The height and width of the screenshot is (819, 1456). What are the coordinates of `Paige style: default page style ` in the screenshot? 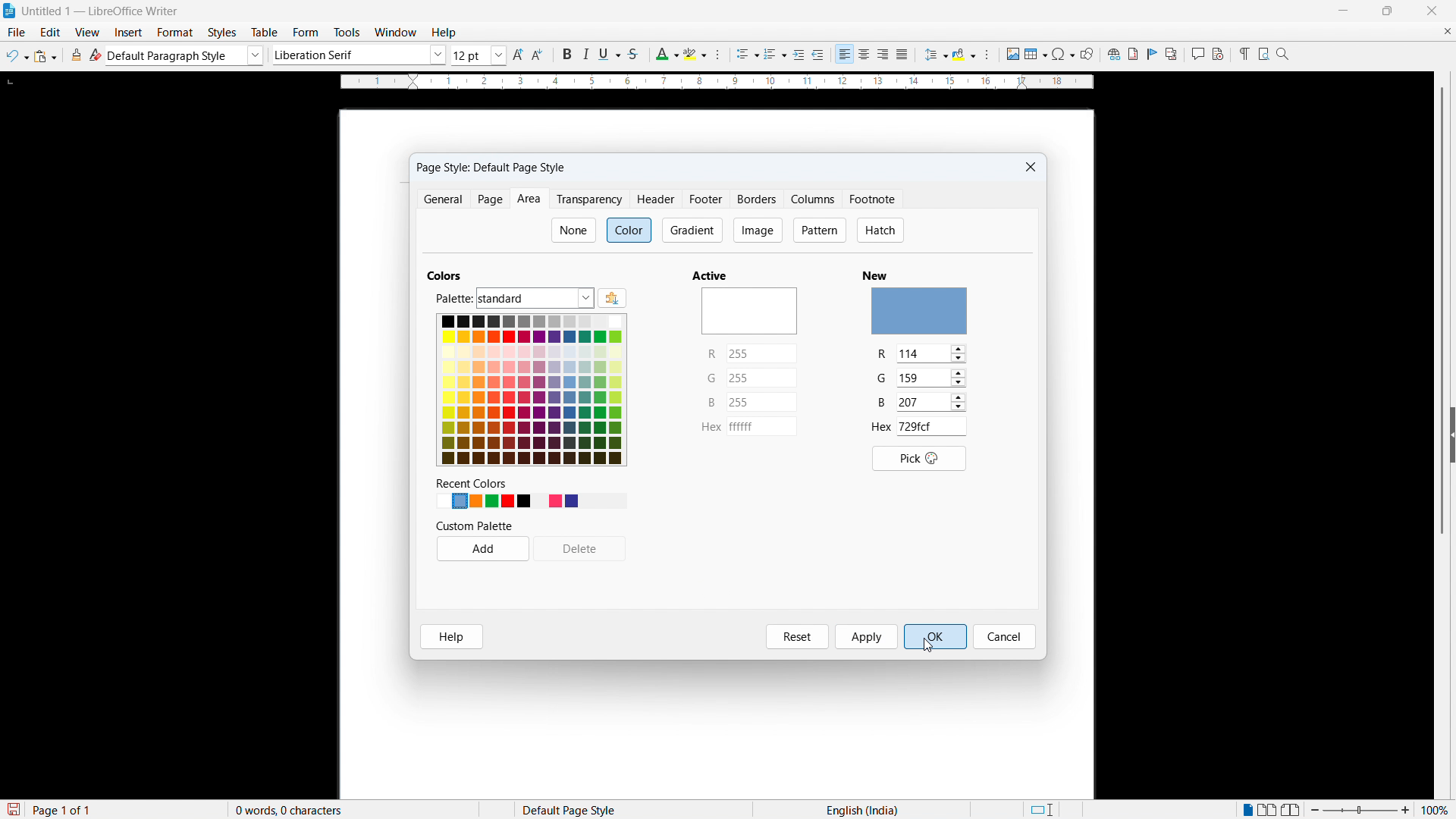 It's located at (490, 168).